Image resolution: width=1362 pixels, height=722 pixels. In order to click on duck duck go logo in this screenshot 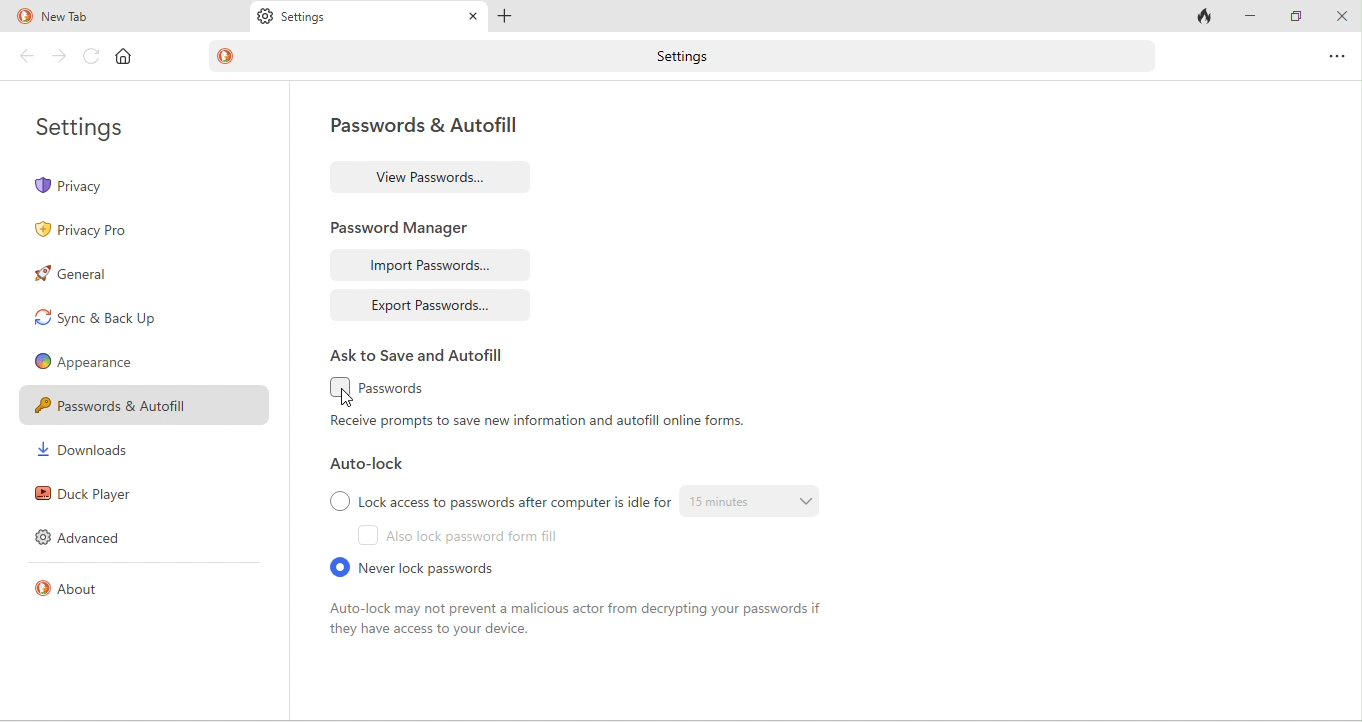, I will do `click(229, 57)`.